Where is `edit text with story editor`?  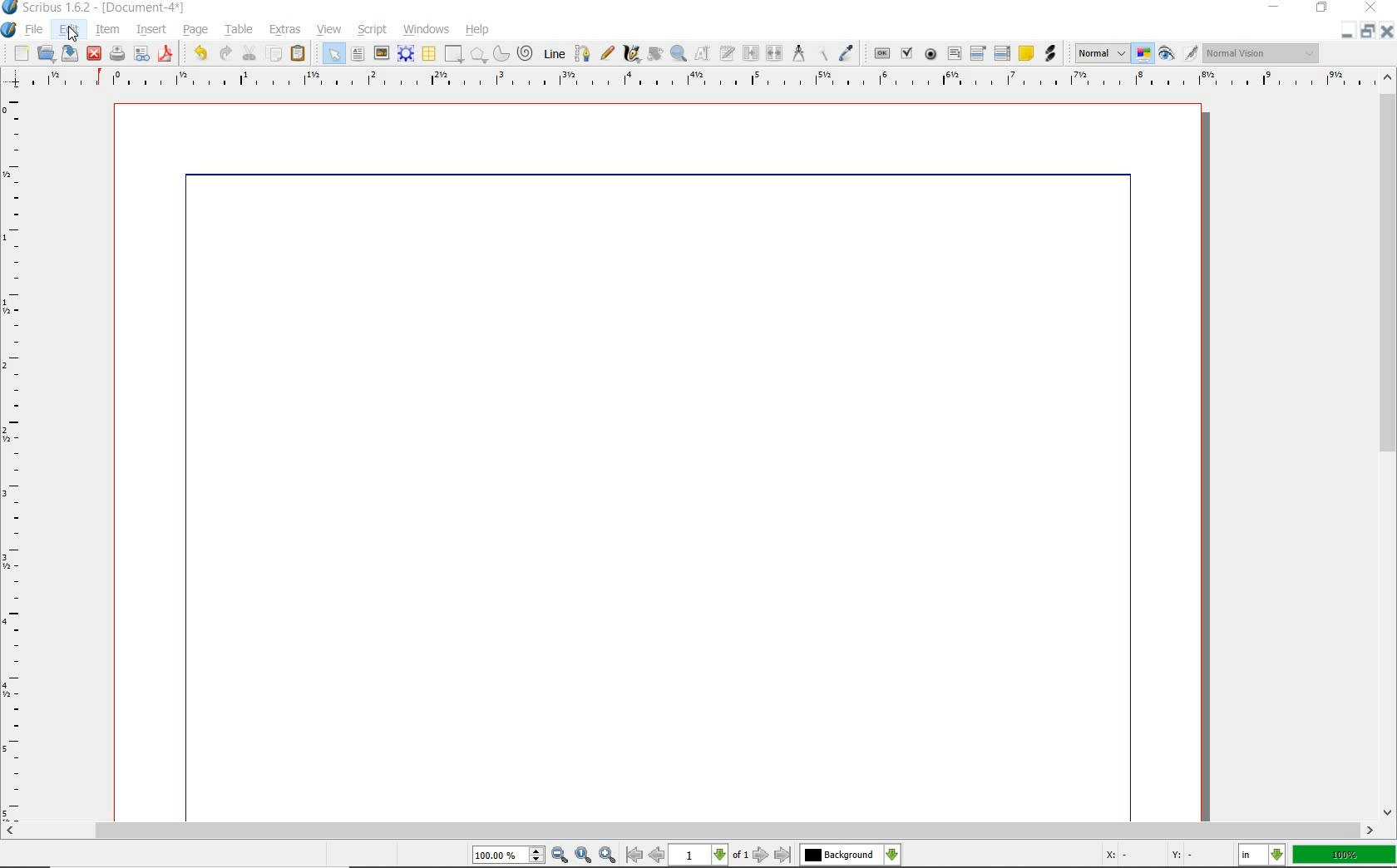 edit text with story editor is located at coordinates (728, 55).